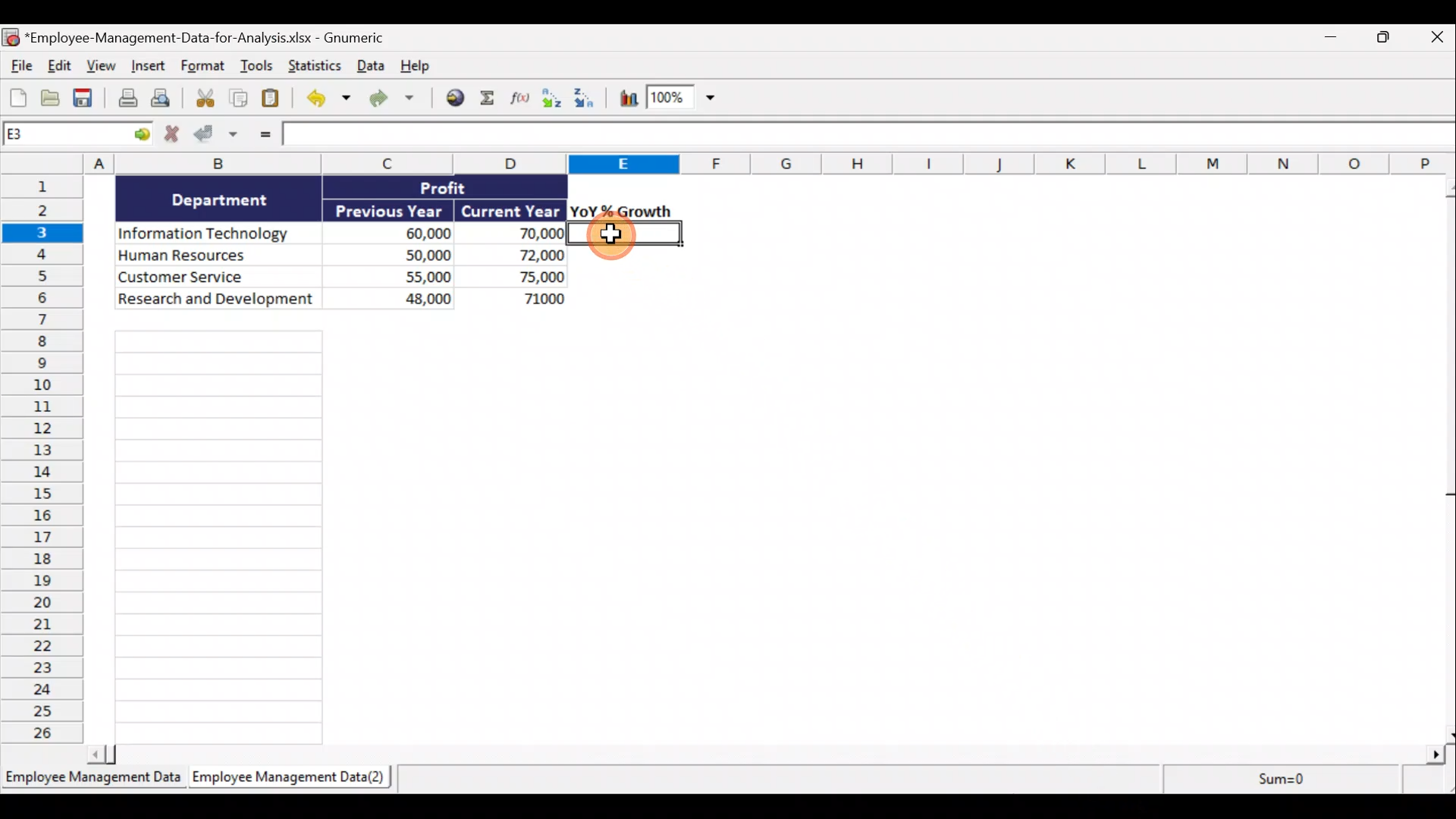 Image resolution: width=1456 pixels, height=819 pixels. What do you see at coordinates (390, 99) in the screenshot?
I see `Redo undone action` at bounding box center [390, 99].